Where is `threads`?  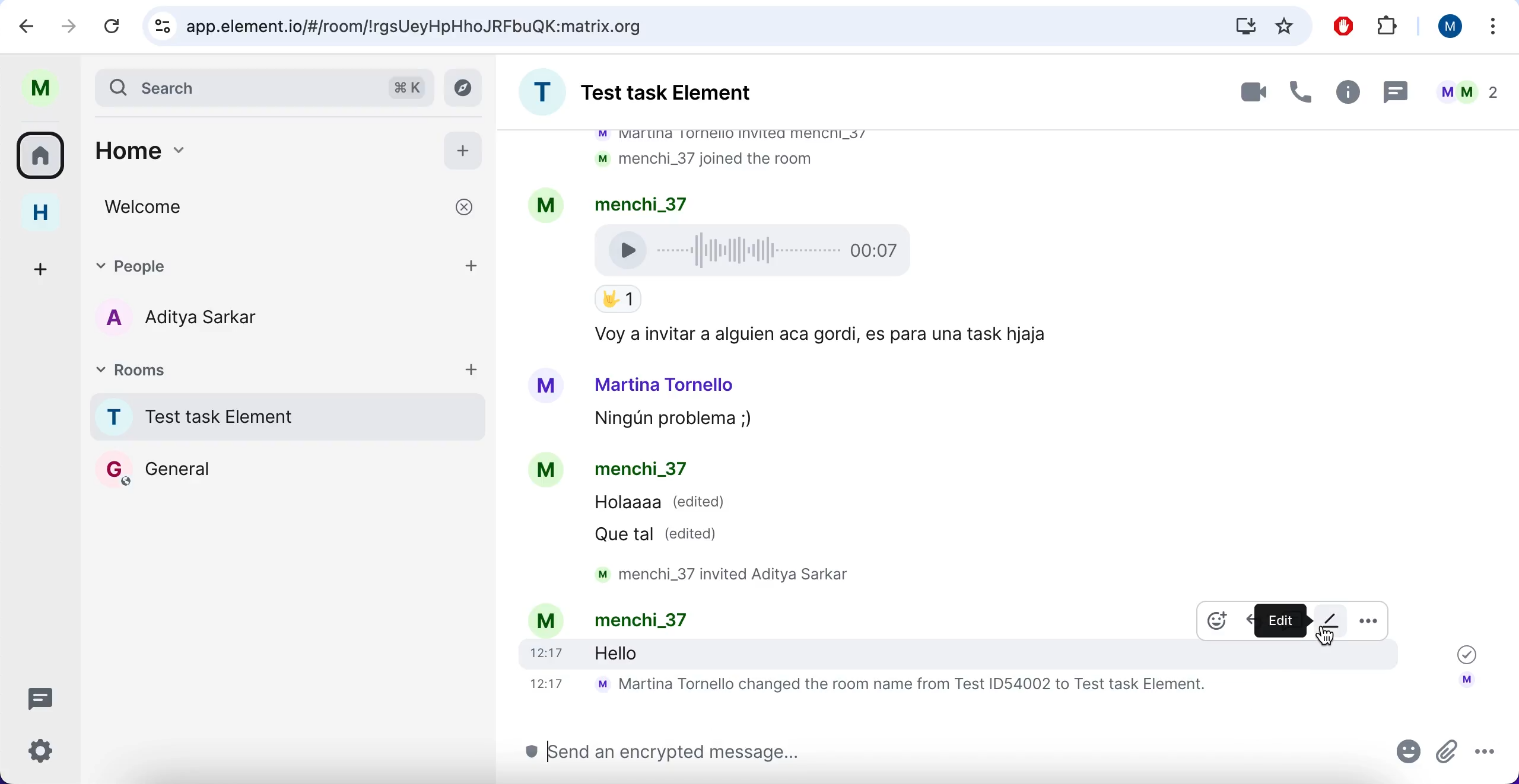
threads is located at coordinates (43, 696).